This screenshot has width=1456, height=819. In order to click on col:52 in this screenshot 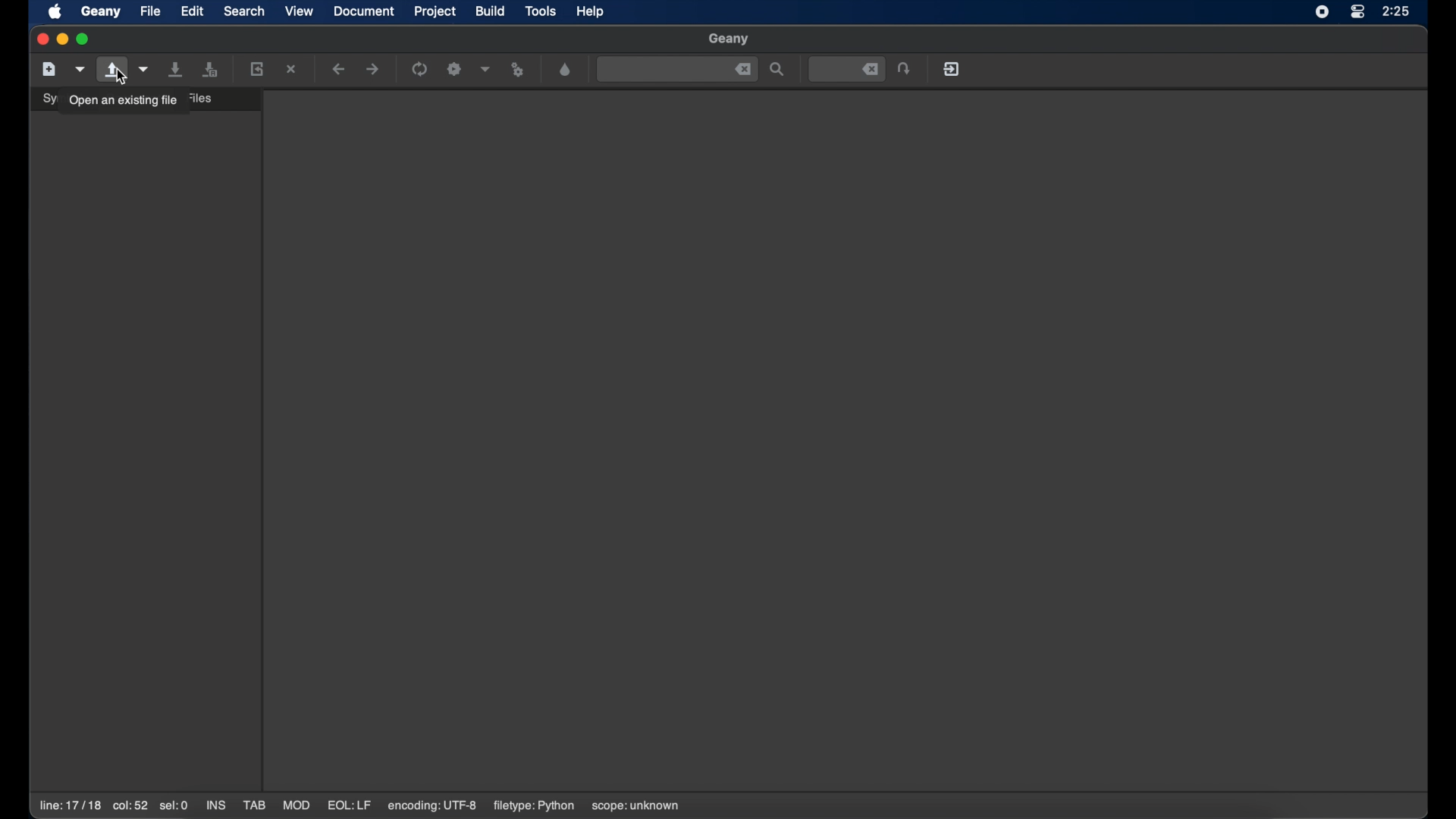, I will do `click(129, 807)`.